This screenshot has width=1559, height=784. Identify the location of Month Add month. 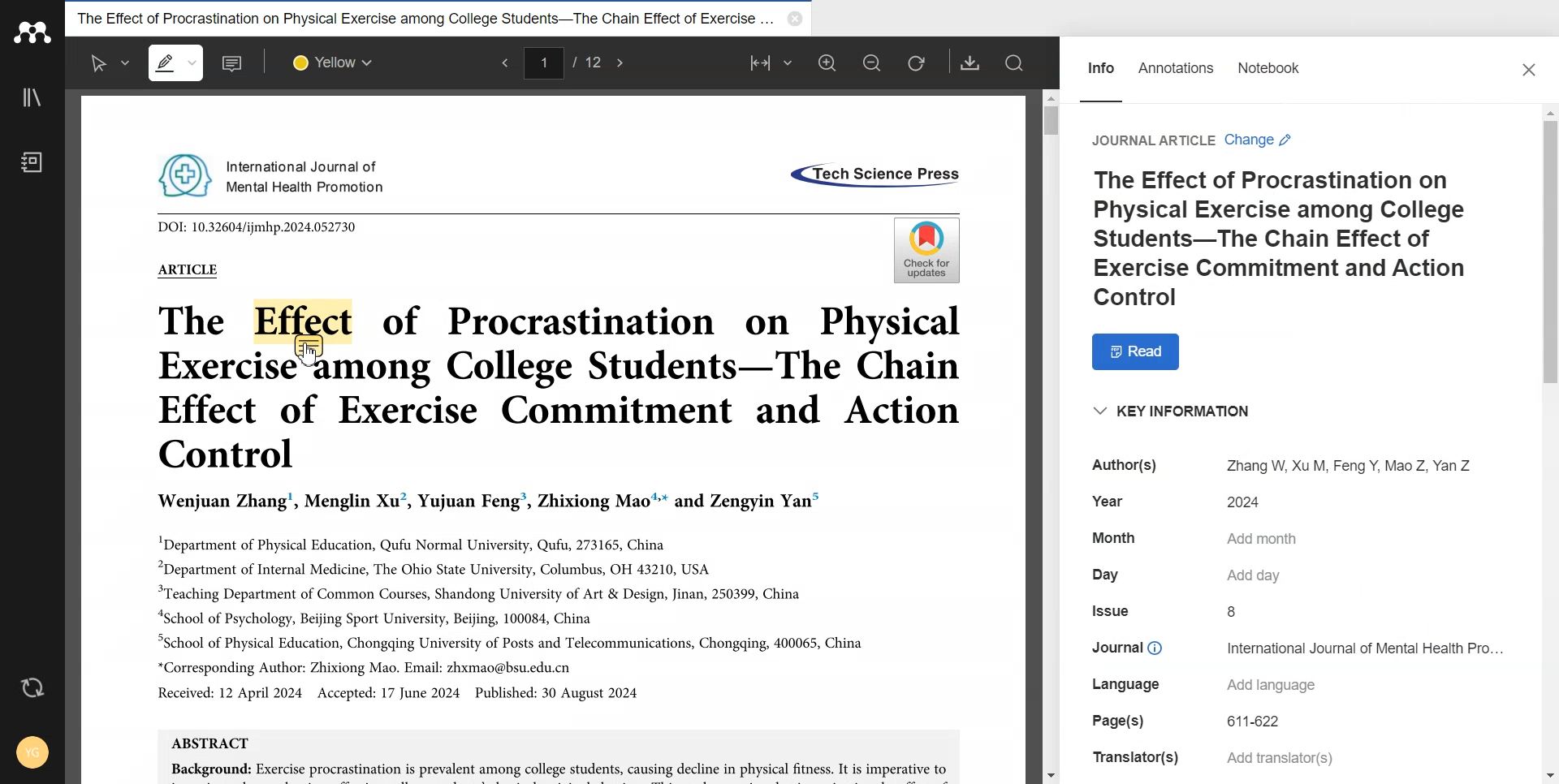
(1198, 539).